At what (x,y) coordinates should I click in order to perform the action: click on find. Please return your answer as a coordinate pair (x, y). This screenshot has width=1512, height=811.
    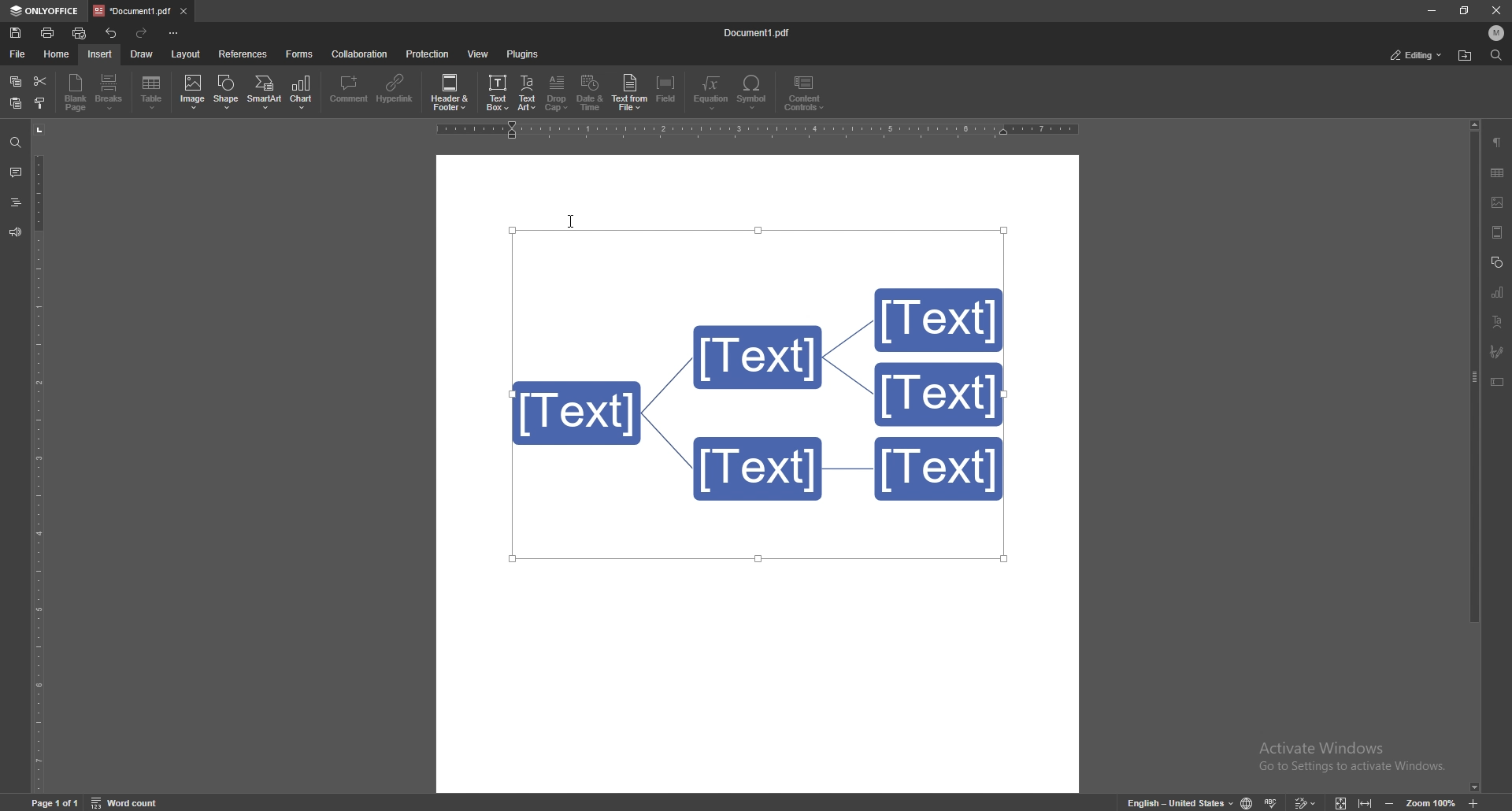
    Looking at the image, I should click on (1495, 54).